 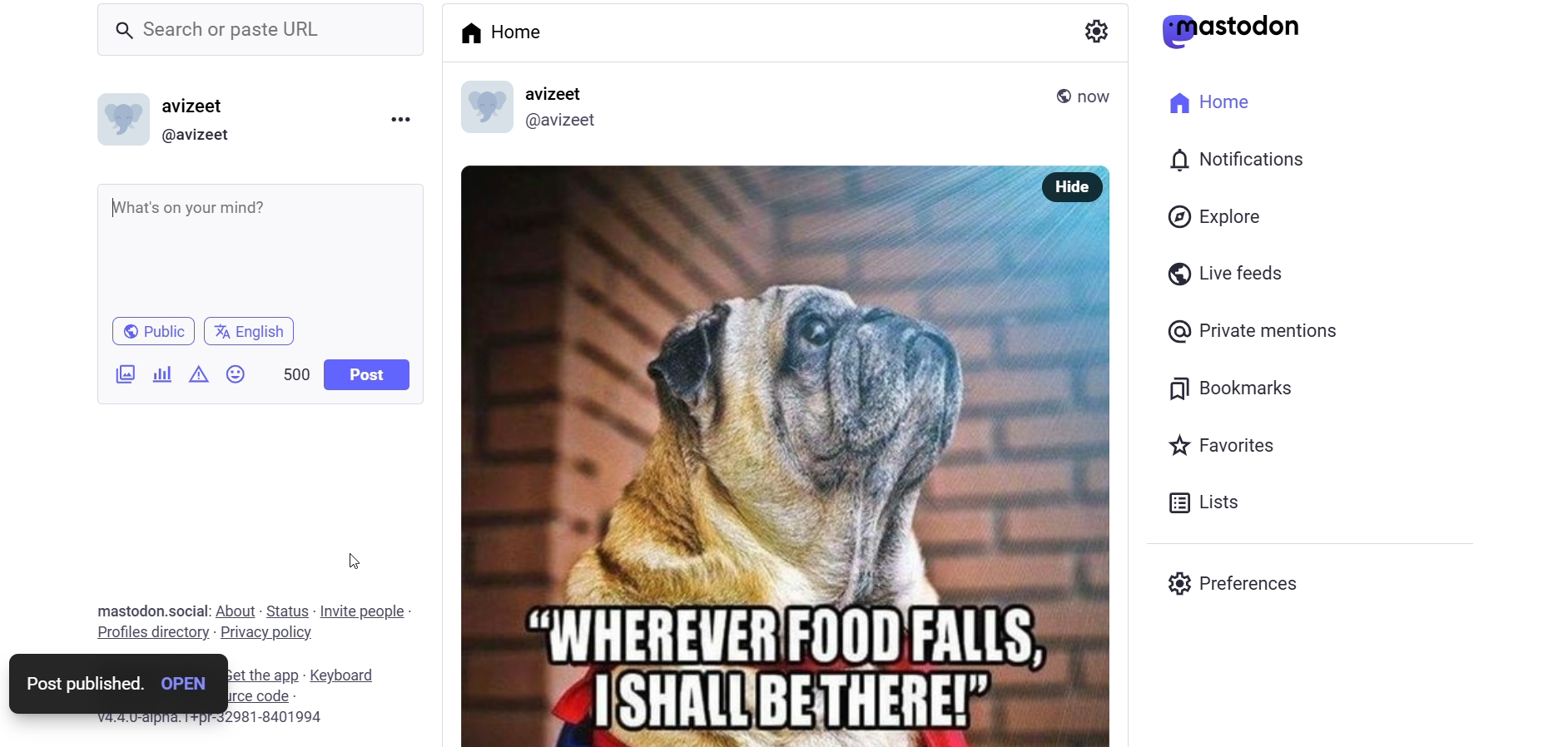 I want to click on keyboard, so click(x=345, y=675).